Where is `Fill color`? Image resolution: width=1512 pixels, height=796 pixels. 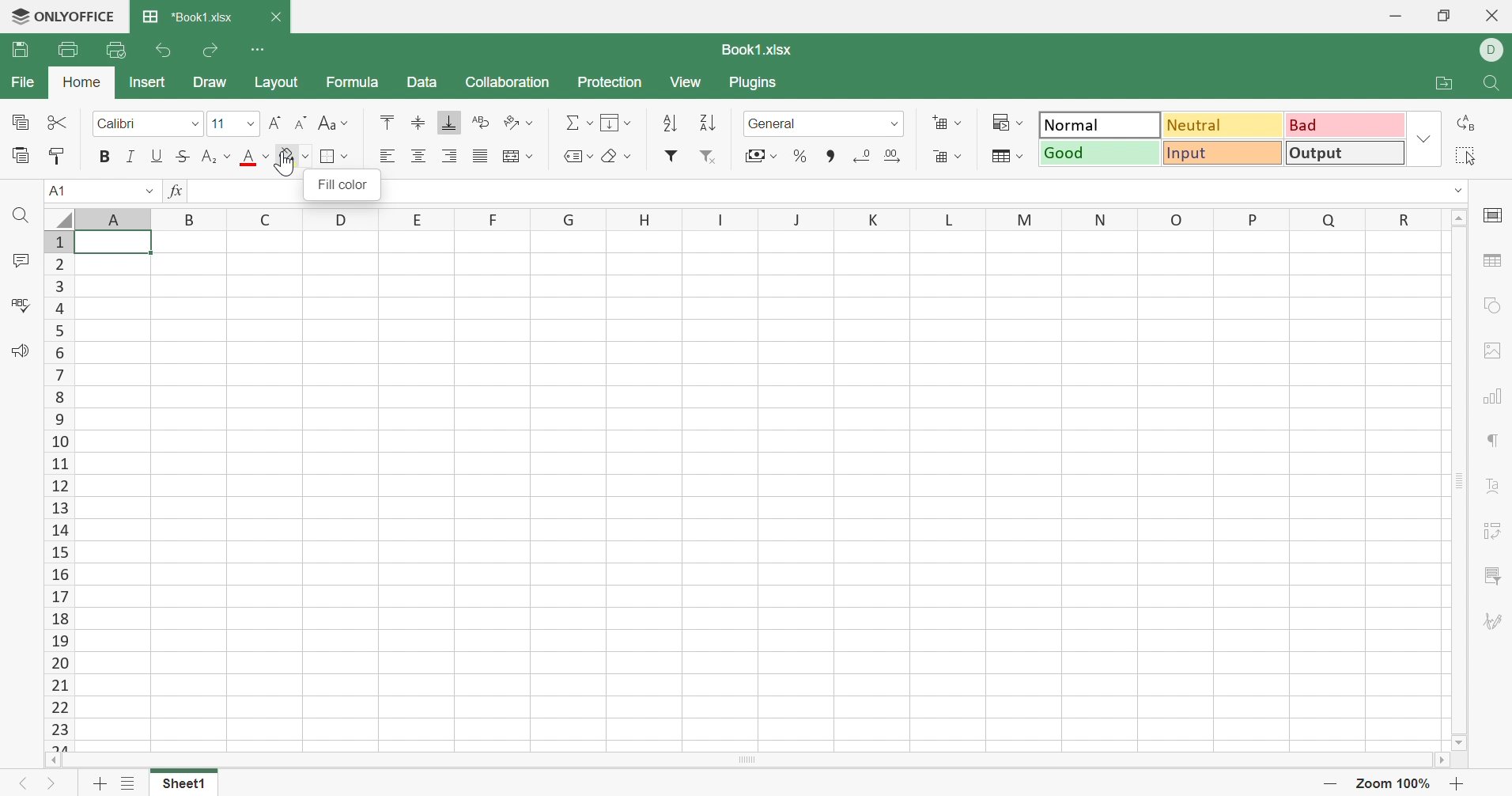 Fill color is located at coordinates (342, 184).